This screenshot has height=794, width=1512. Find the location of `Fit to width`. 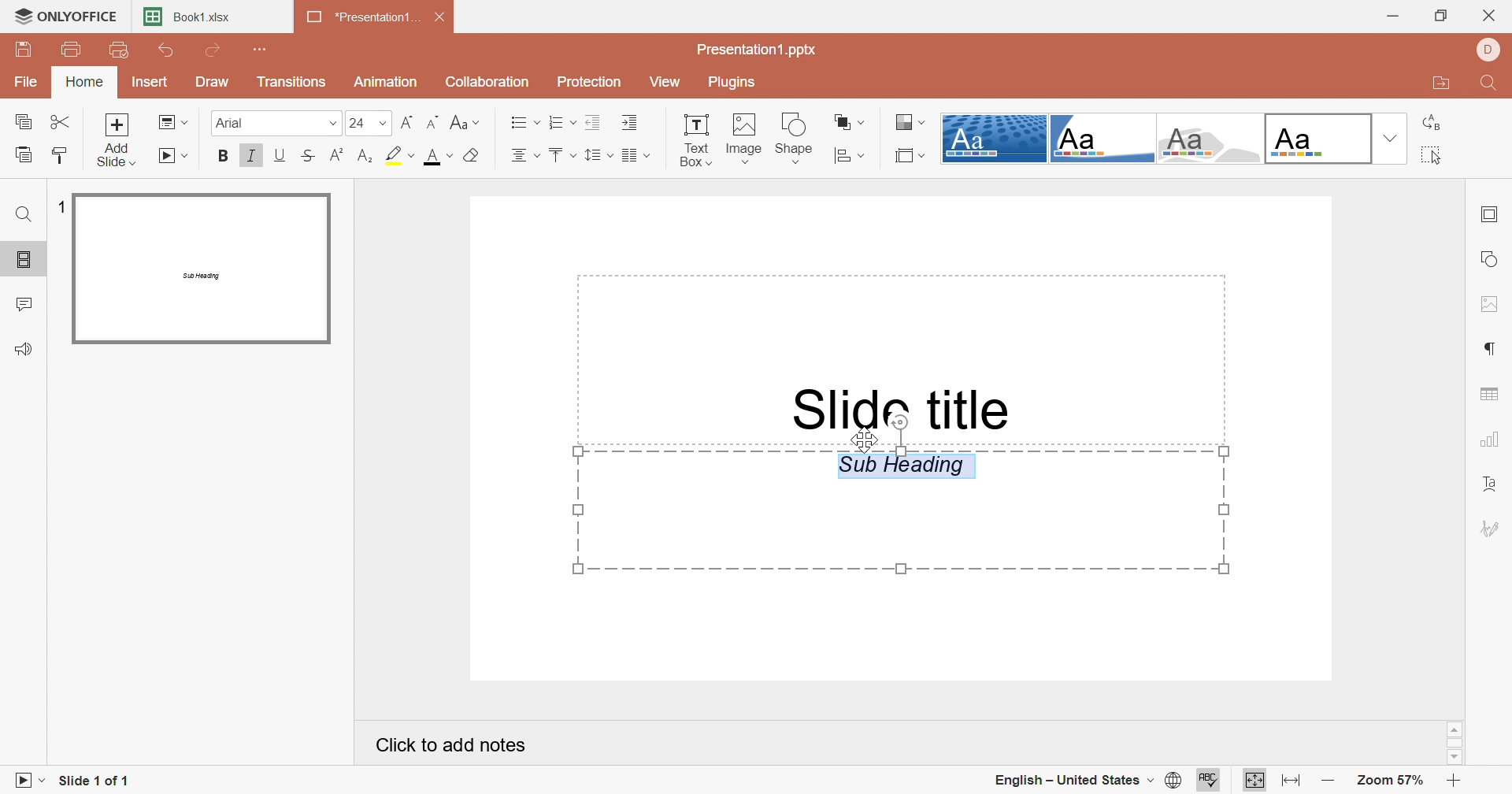

Fit to width is located at coordinates (1290, 777).